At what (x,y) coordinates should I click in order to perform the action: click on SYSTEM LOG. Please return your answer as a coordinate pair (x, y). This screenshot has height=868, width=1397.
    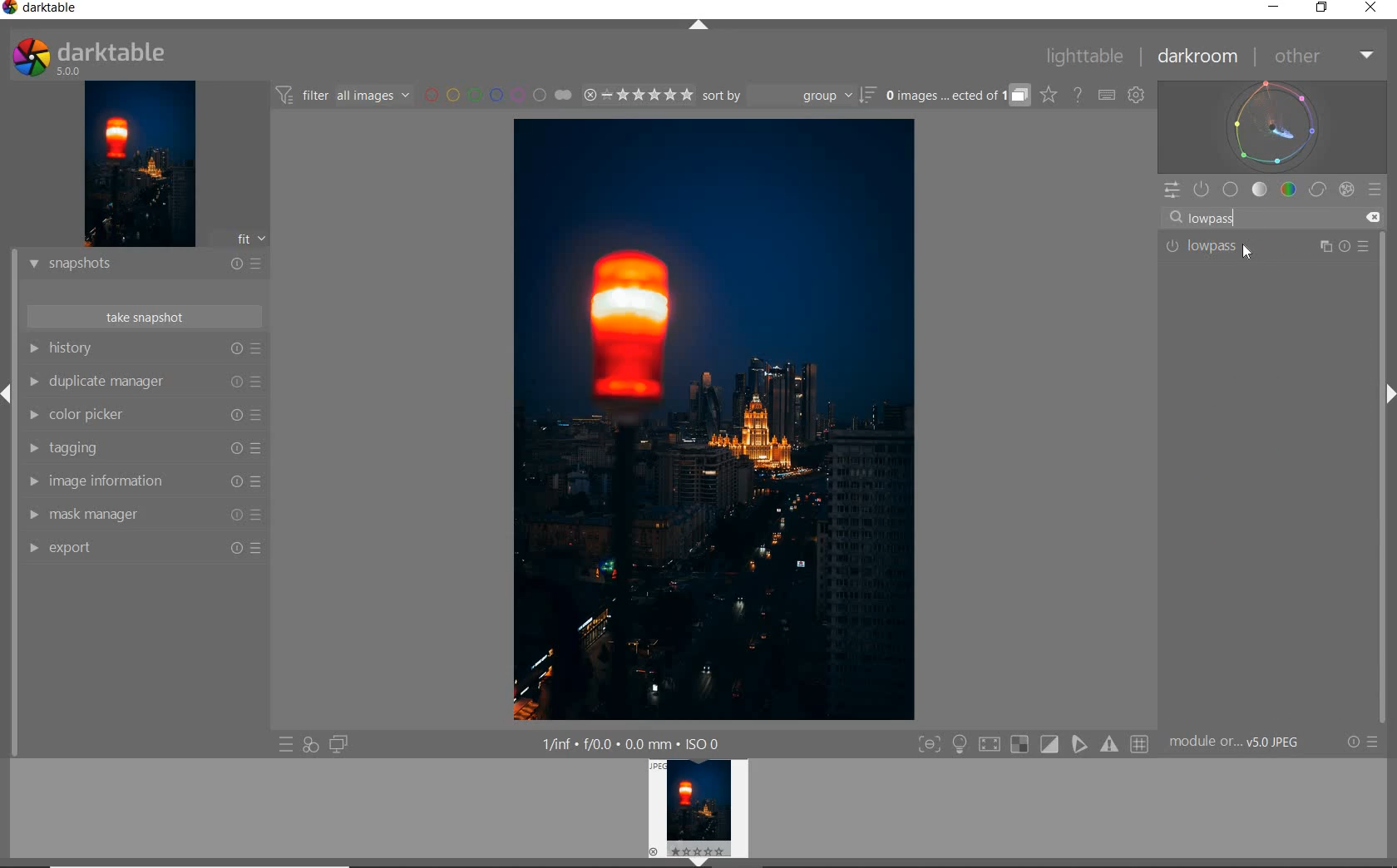
    Looking at the image, I should click on (106, 56).